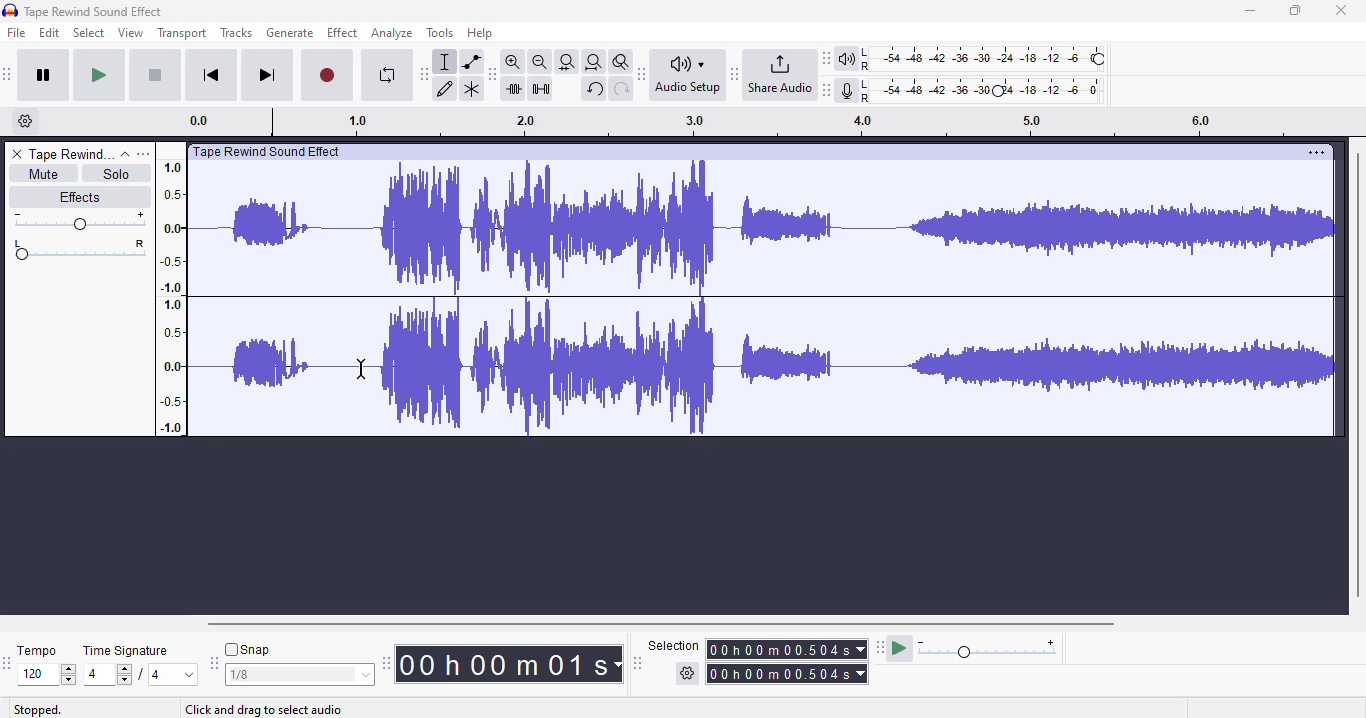 The width and height of the screenshot is (1366, 718). What do you see at coordinates (445, 62) in the screenshot?
I see `selection tool` at bounding box center [445, 62].